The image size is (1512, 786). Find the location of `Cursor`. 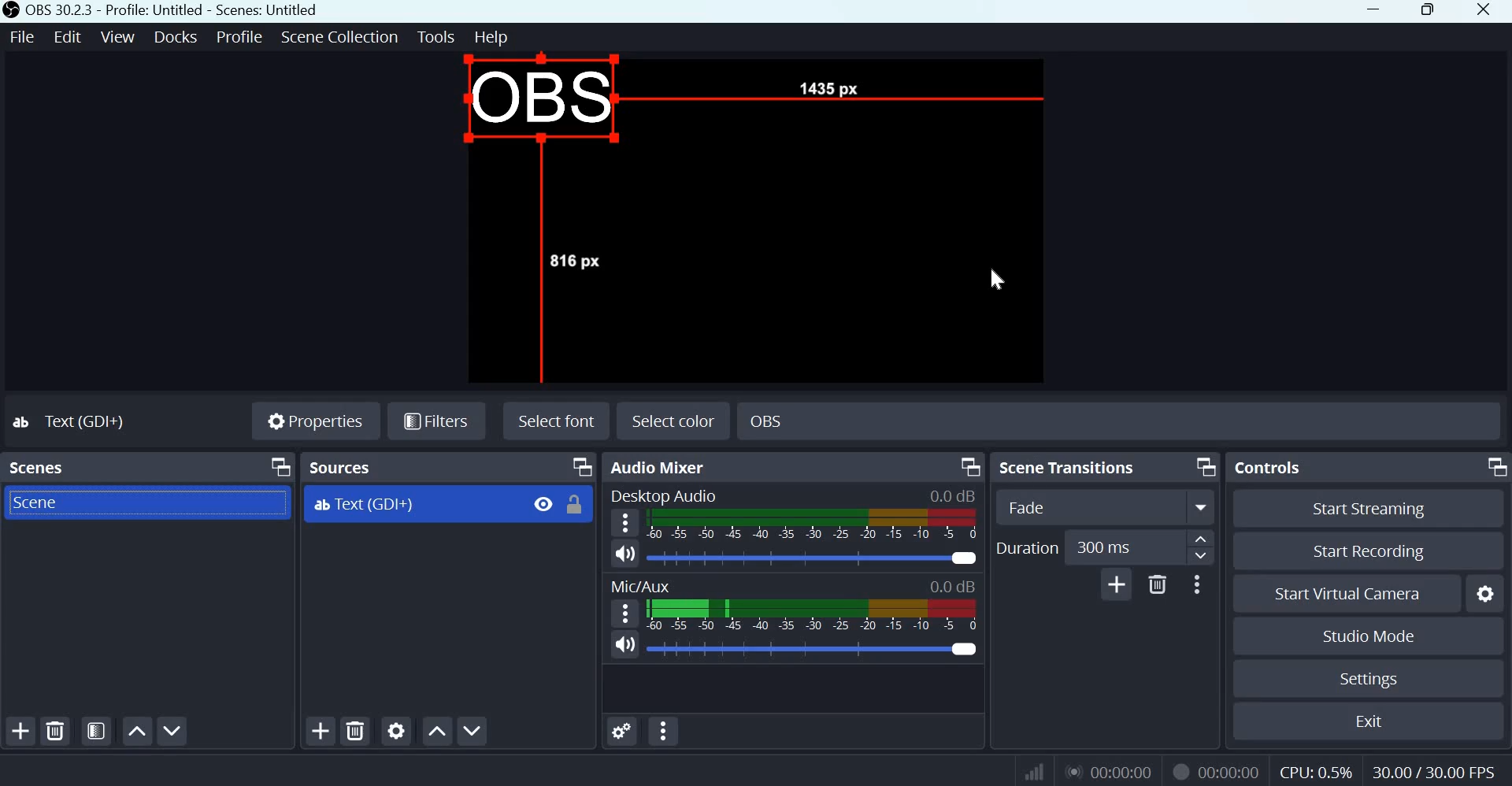

Cursor is located at coordinates (998, 273).